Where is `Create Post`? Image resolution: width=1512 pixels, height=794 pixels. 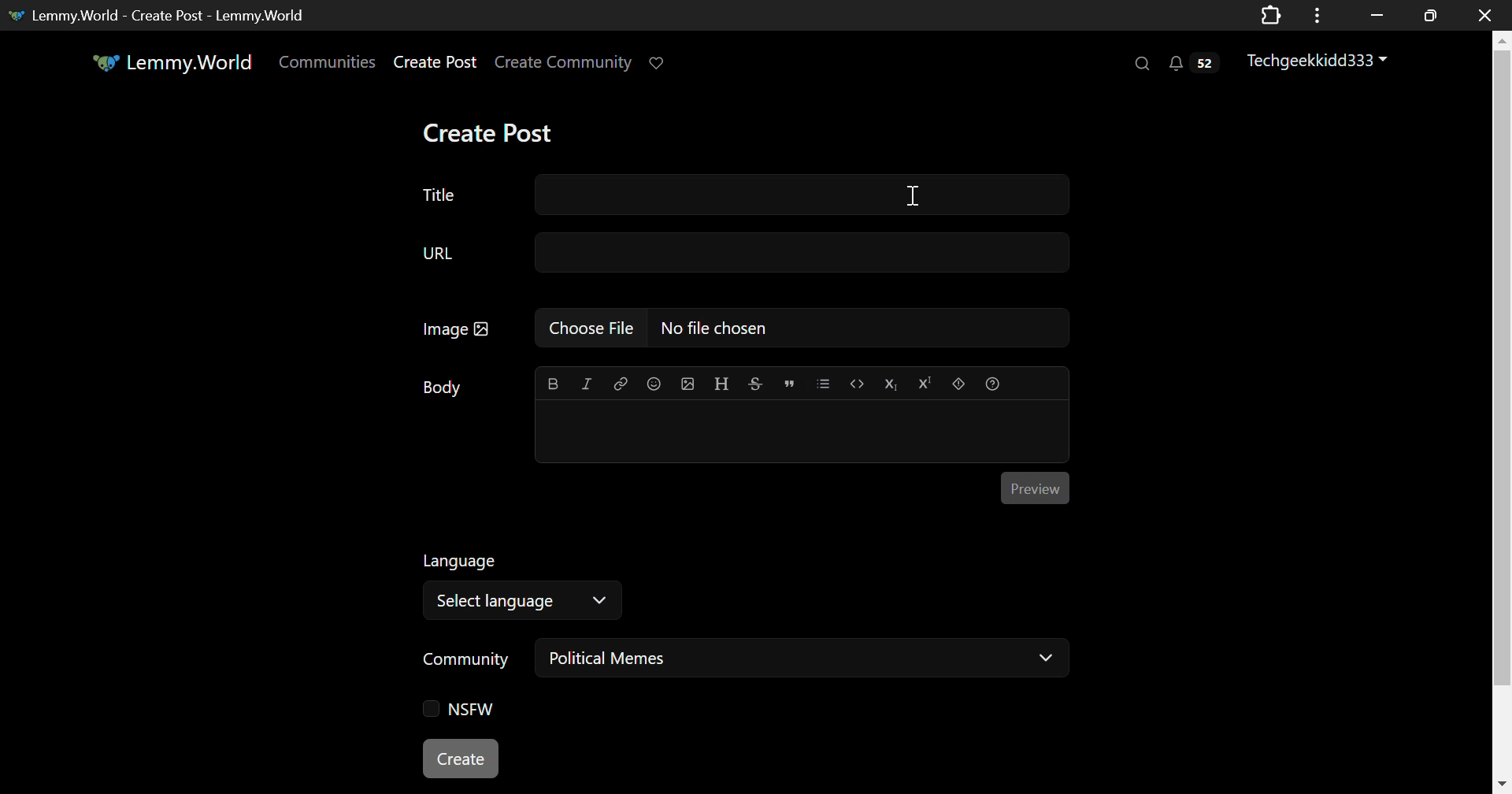 Create Post is located at coordinates (498, 132).